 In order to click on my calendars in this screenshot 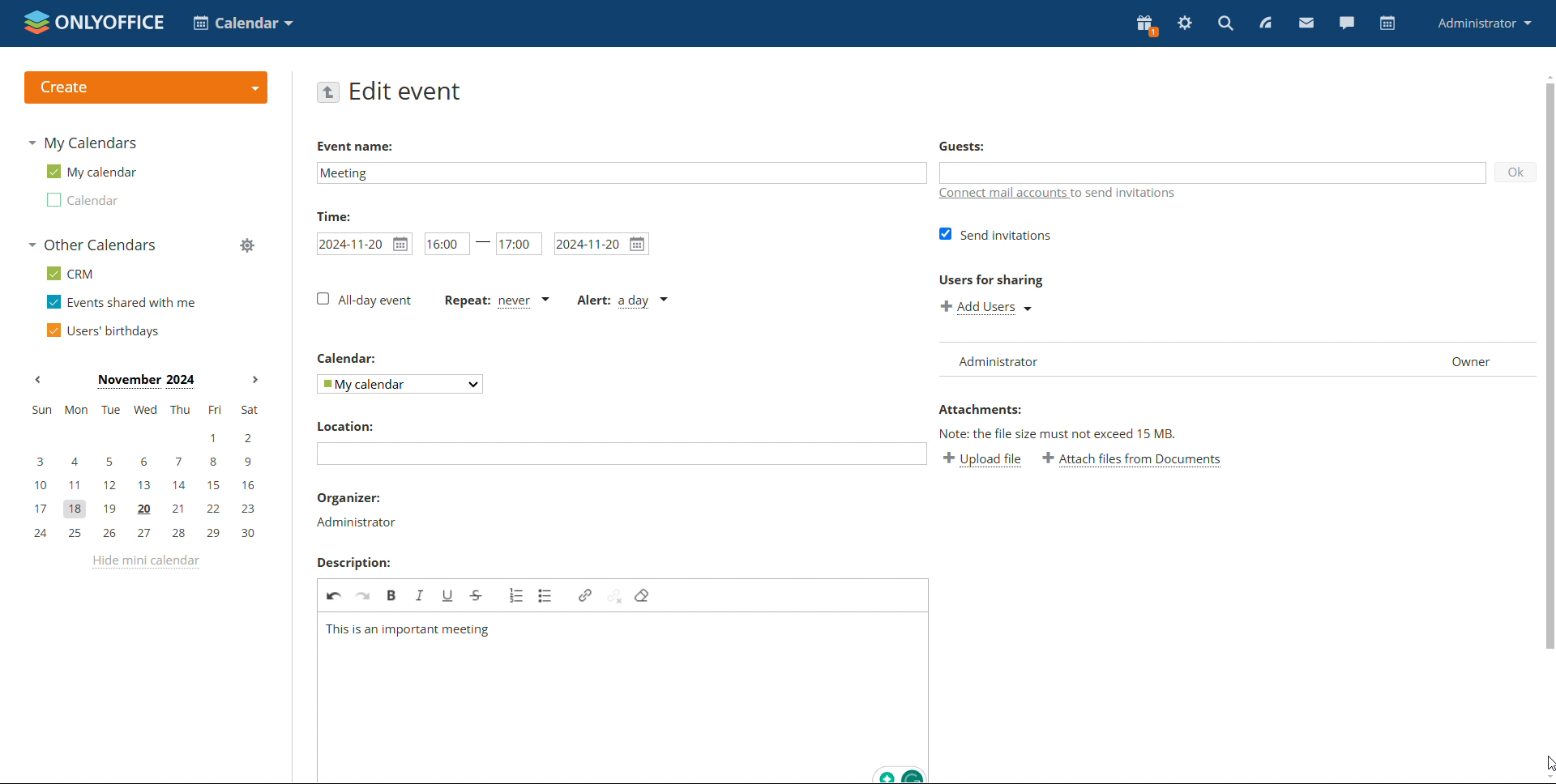, I will do `click(83, 143)`.